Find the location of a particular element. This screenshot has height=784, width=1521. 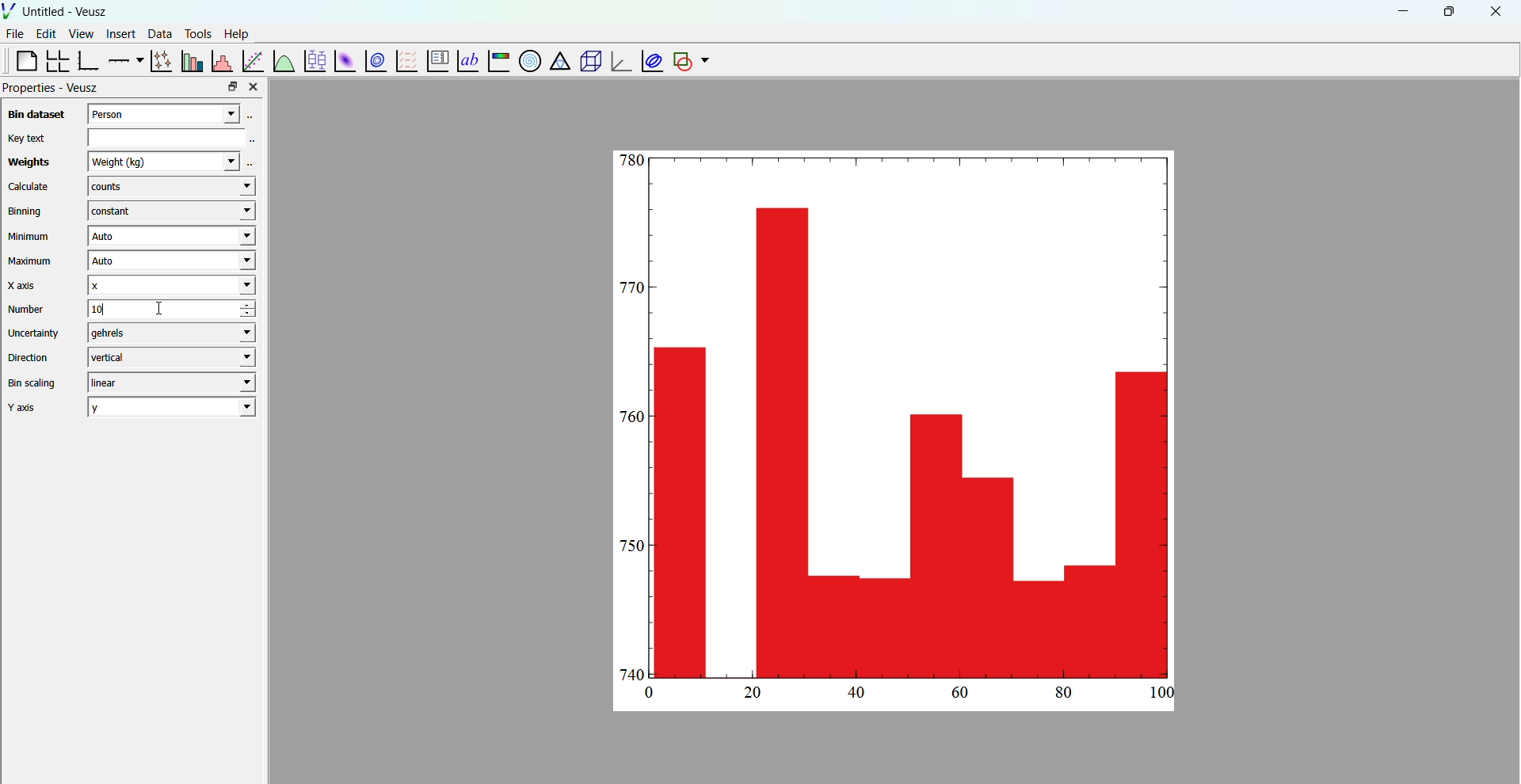

liner - drop down is located at coordinates (168, 382).